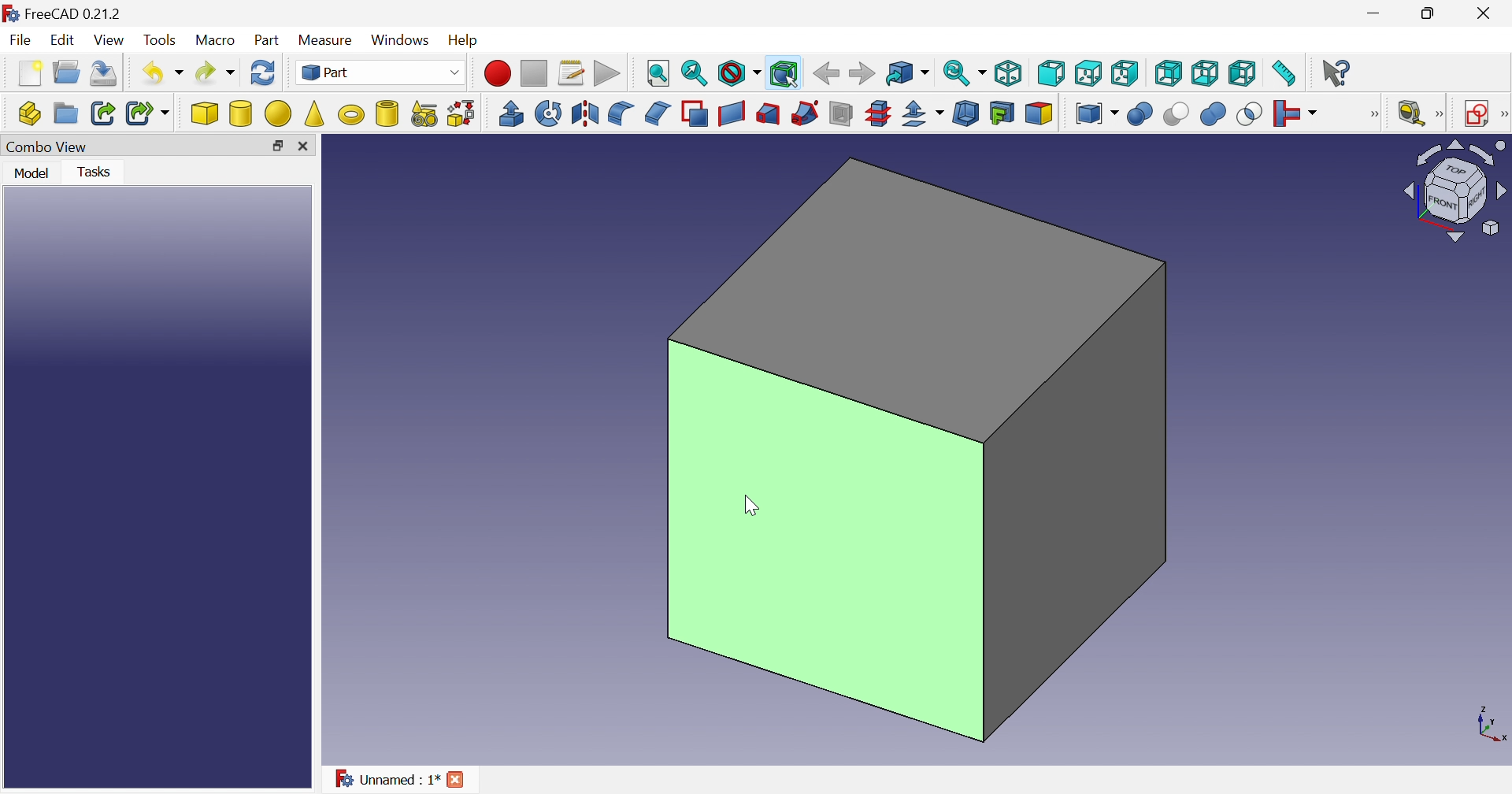 The image size is (1512, 794). Describe the element at coordinates (1251, 113) in the screenshot. I see `Intersection` at that location.